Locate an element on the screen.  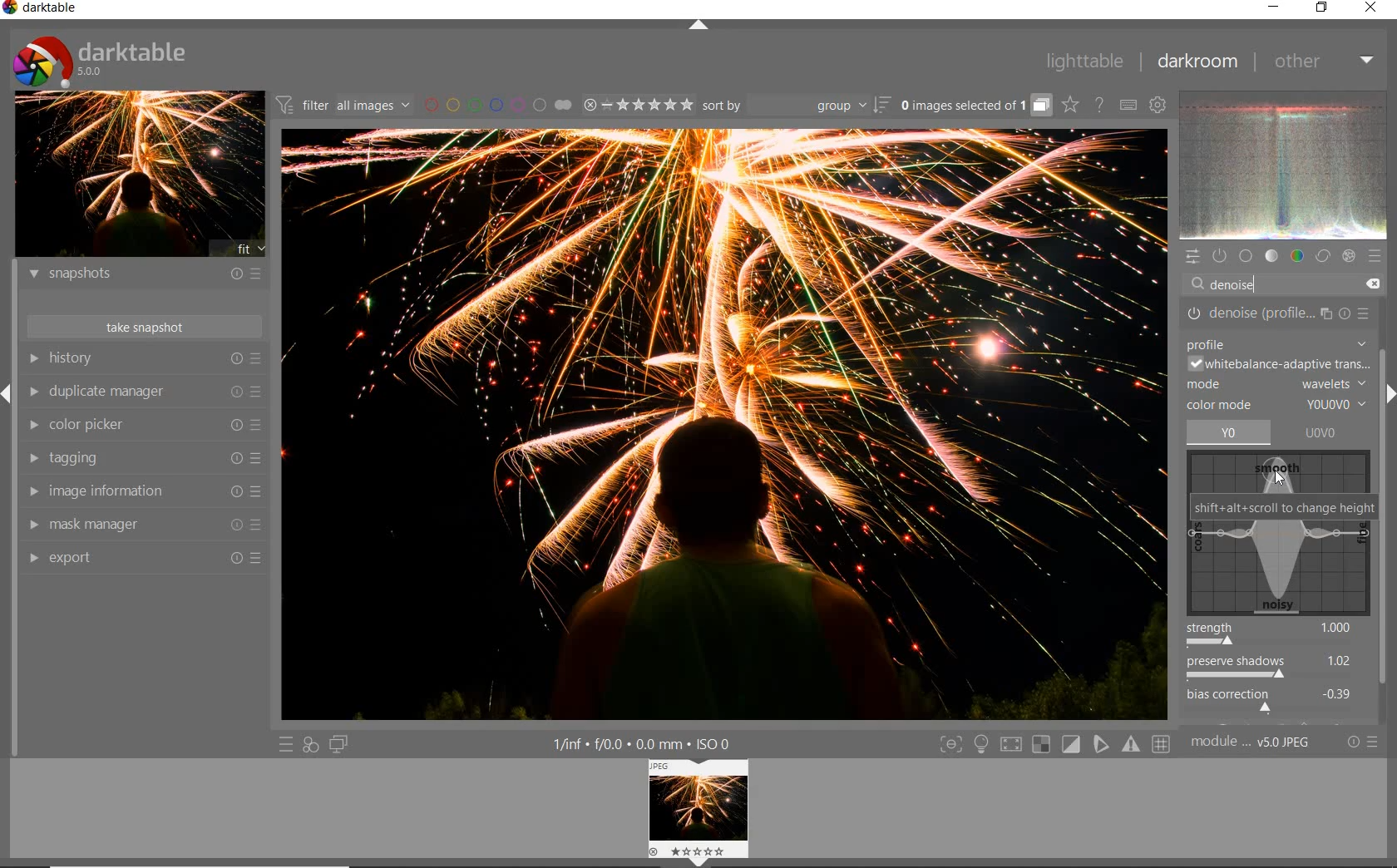
expand/collapse is located at coordinates (700, 26).